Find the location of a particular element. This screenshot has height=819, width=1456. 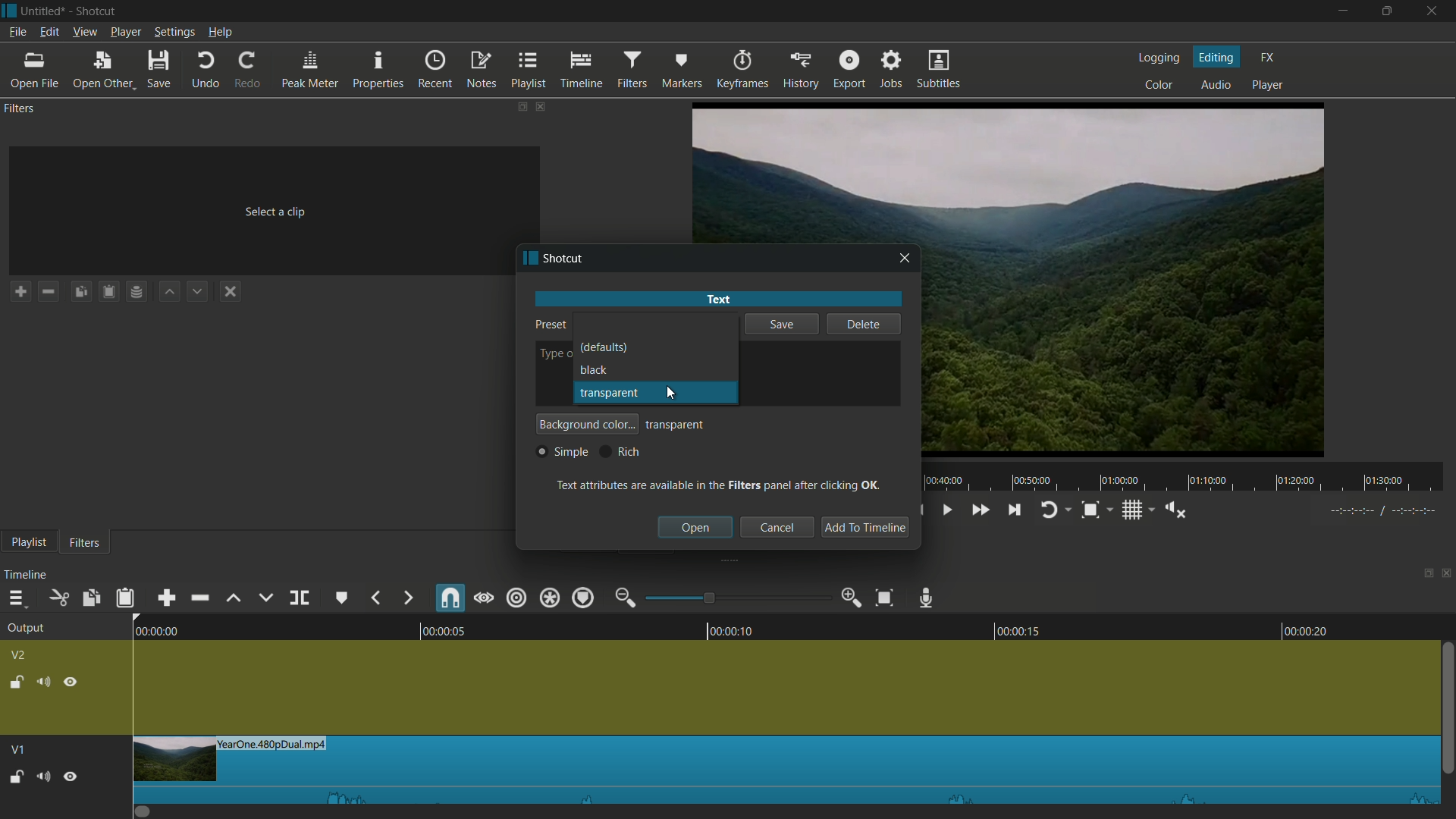

00:00:05 is located at coordinates (435, 628).